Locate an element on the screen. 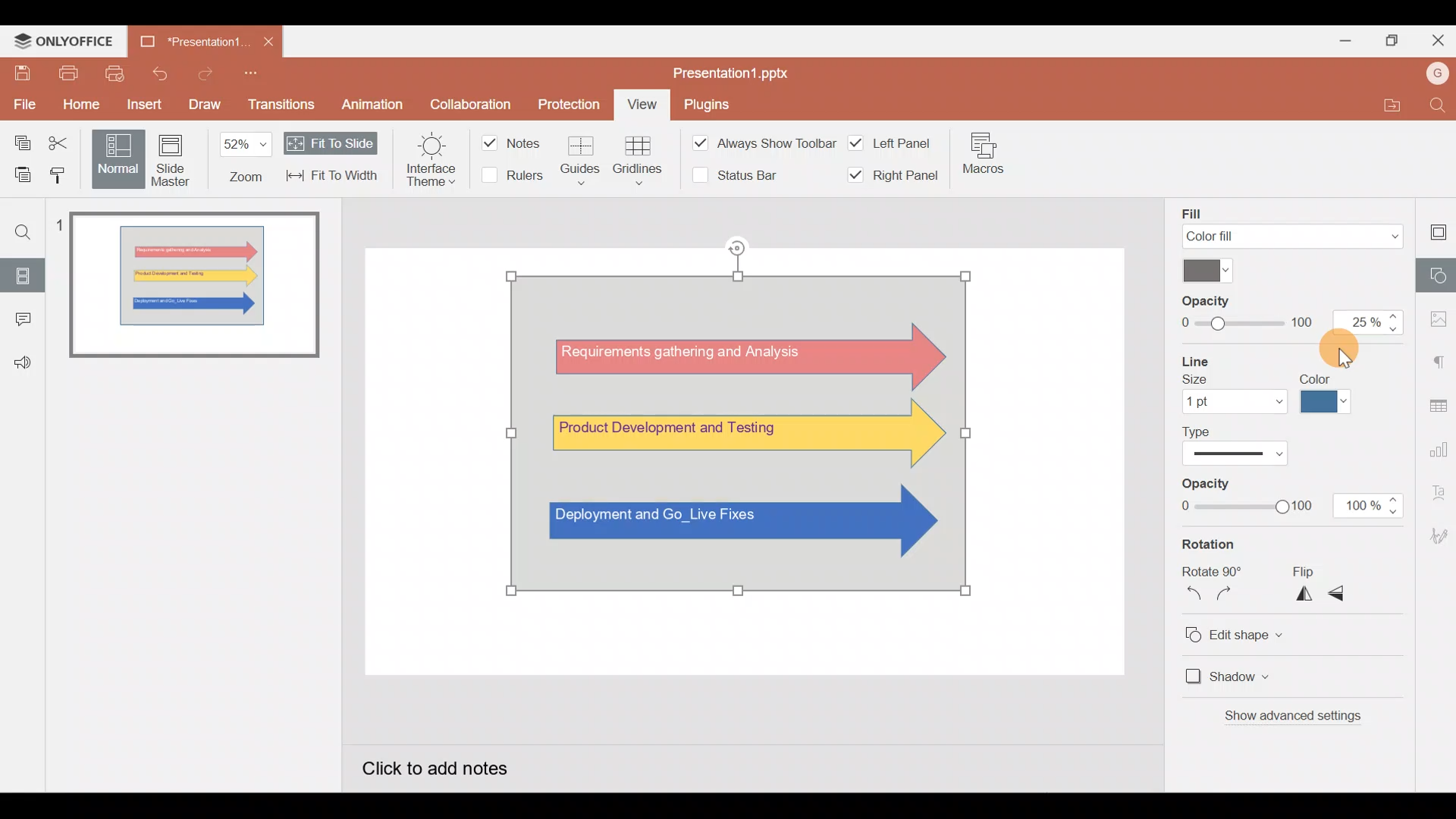 Image resolution: width=1456 pixels, height=819 pixels. Home is located at coordinates (74, 105).